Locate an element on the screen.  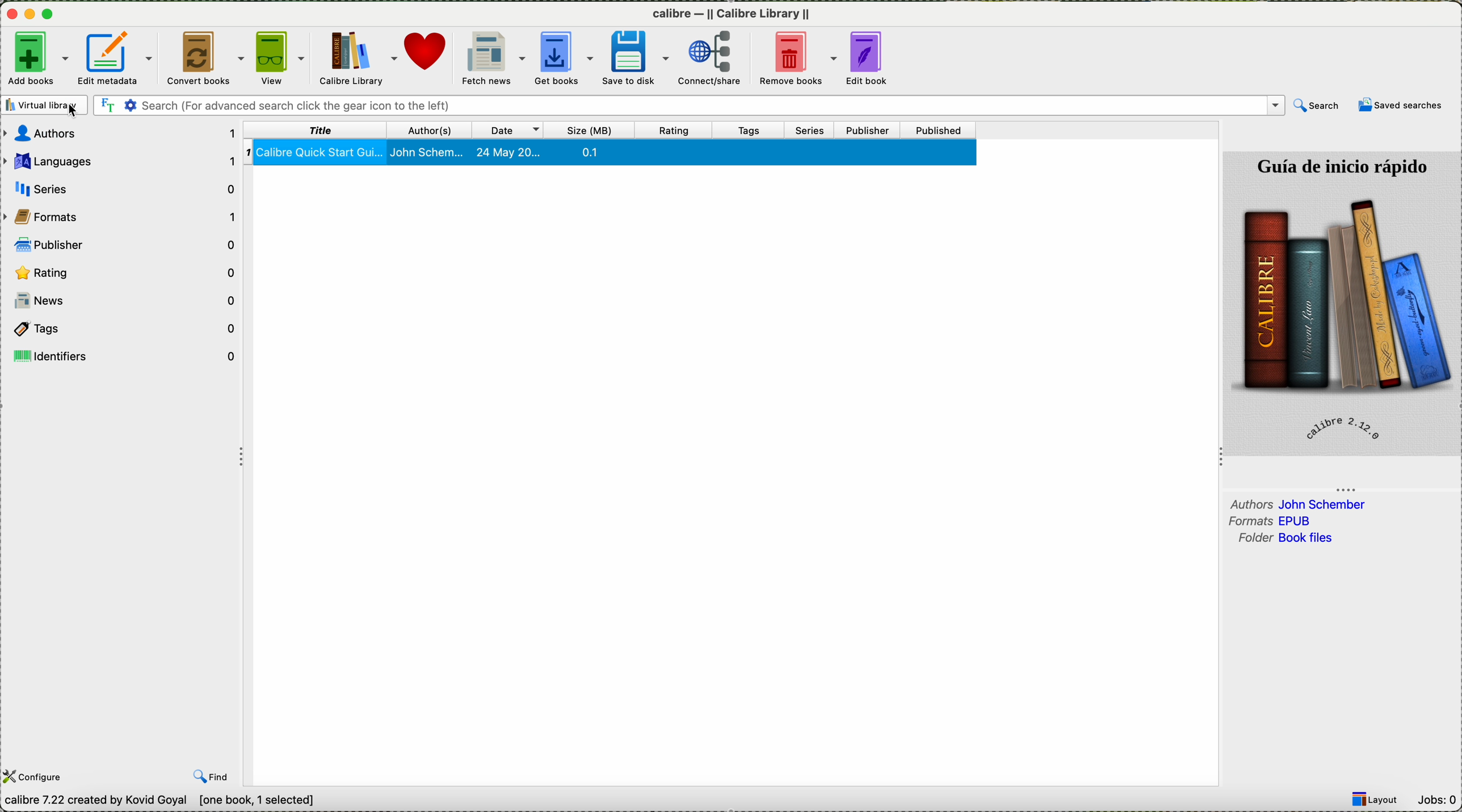
tags is located at coordinates (125, 329).